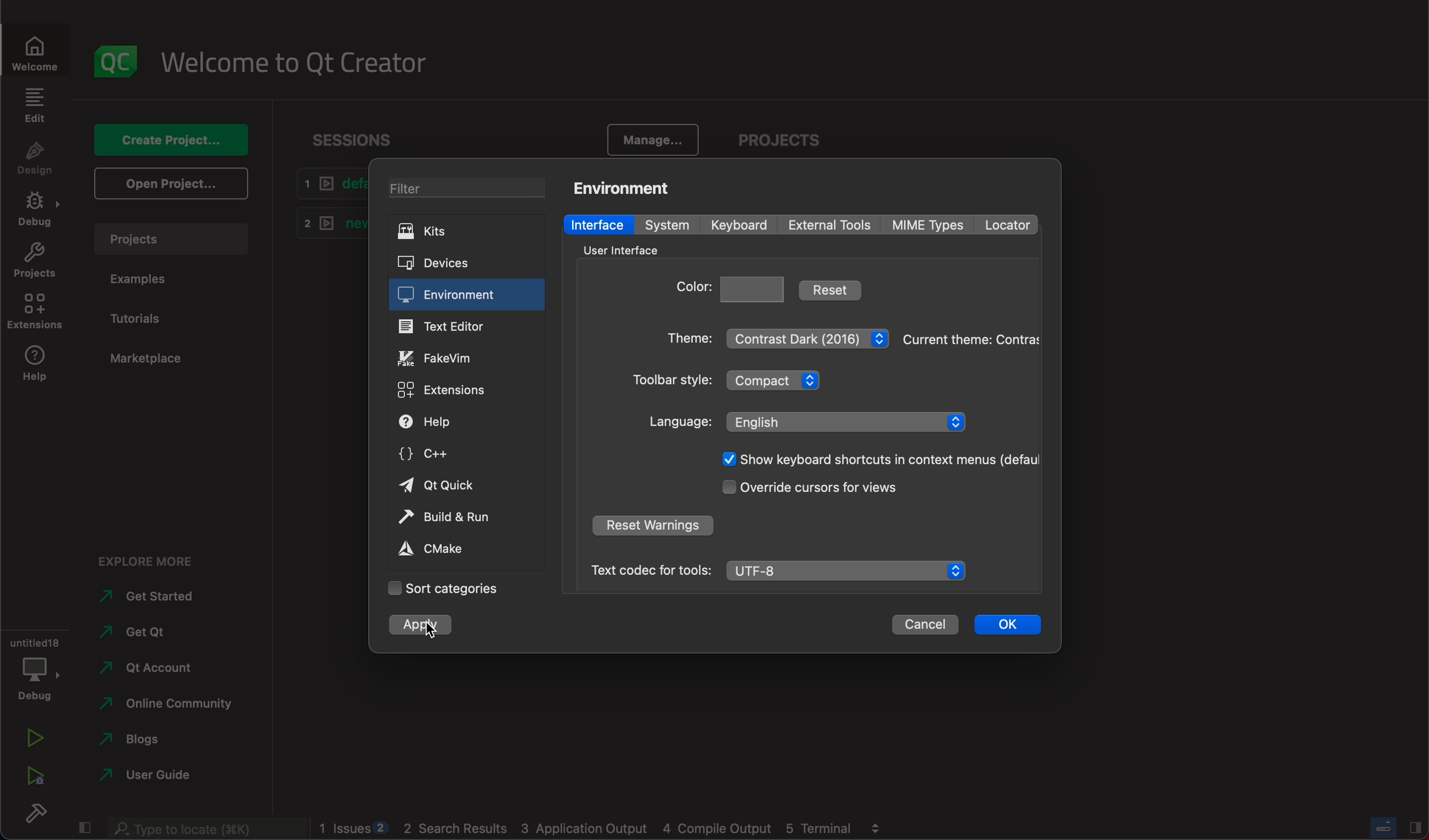 The width and height of the screenshot is (1429, 840). What do you see at coordinates (627, 249) in the screenshot?
I see `user interface` at bounding box center [627, 249].